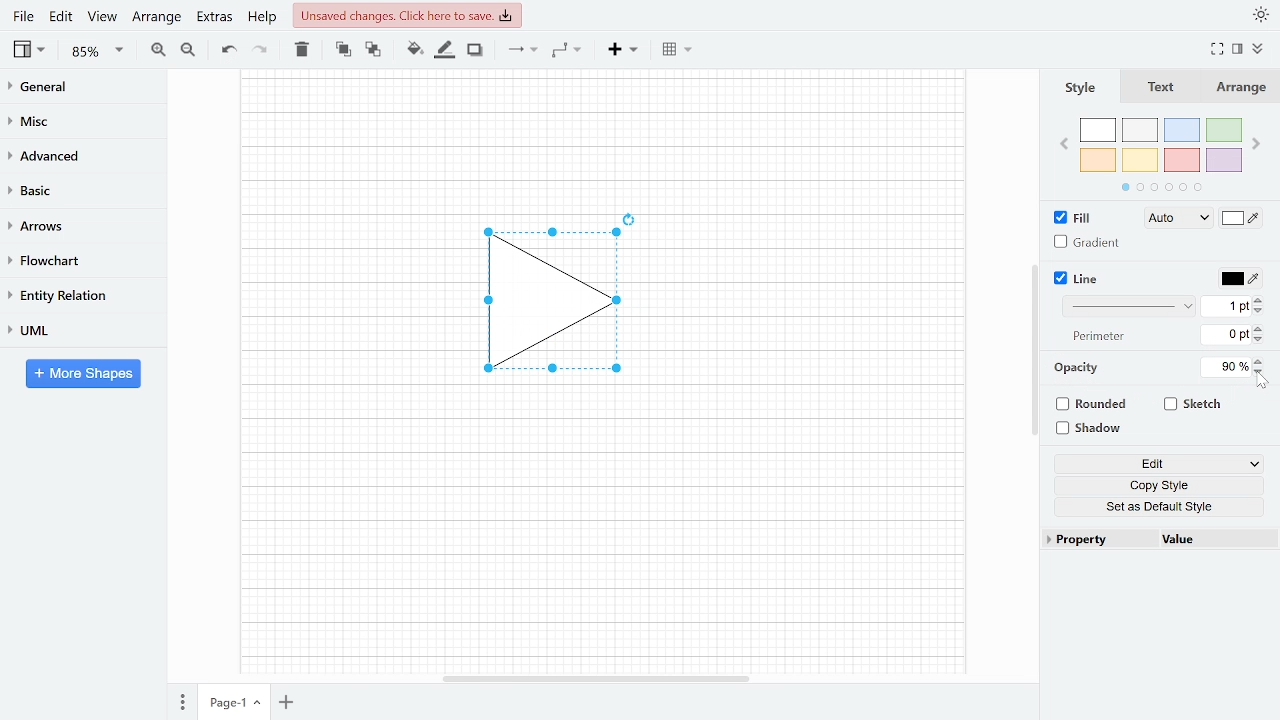 This screenshot has height=720, width=1280. Describe the element at coordinates (83, 373) in the screenshot. I see `More shapes` at that location.